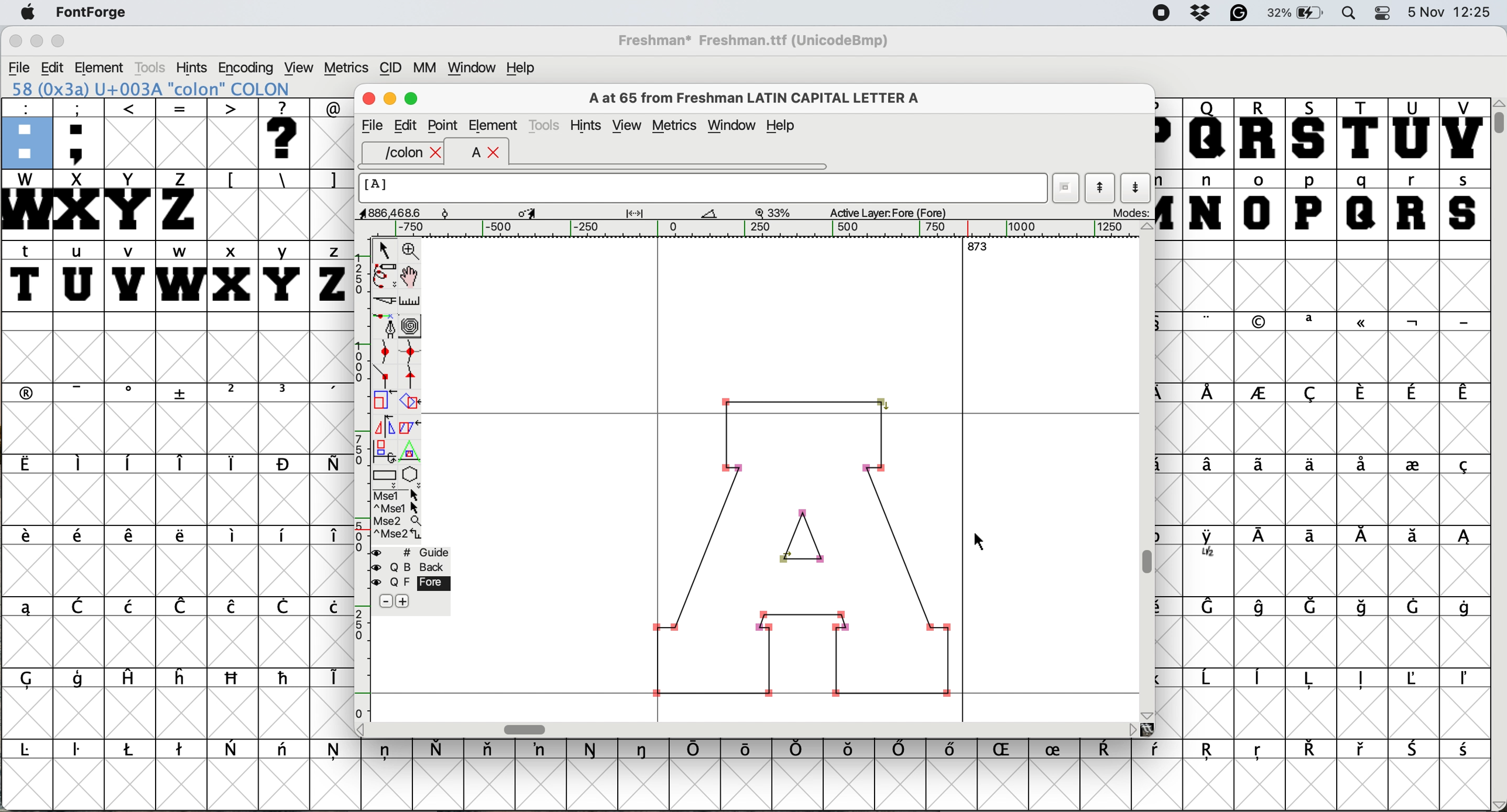  Describe the element at coordinates (755, 97) in the screenshot. I see `A at 65 from Freshman LATIN CAPITAL LETTER A` at that location.